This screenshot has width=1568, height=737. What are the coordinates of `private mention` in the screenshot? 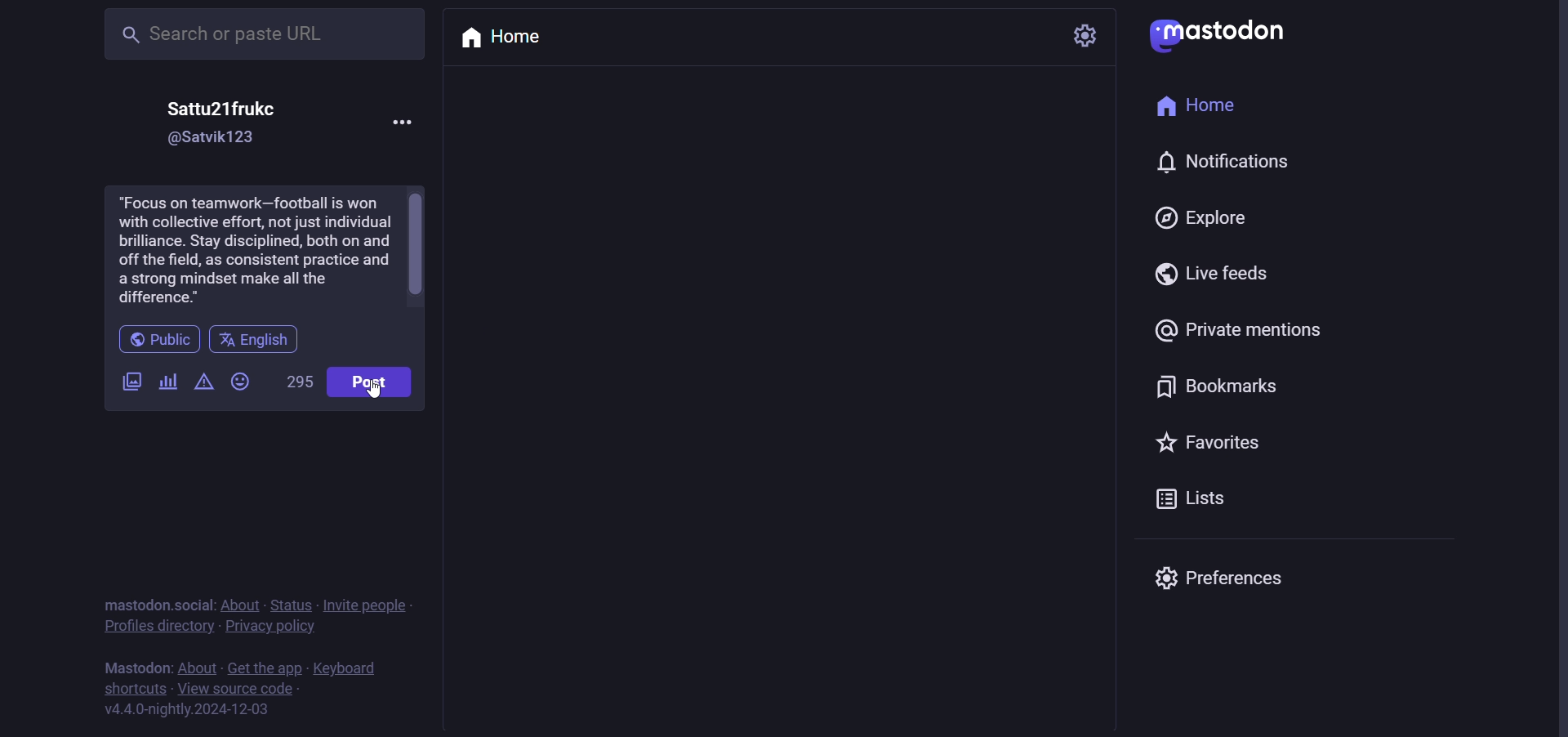 It's located at (1233, 328).